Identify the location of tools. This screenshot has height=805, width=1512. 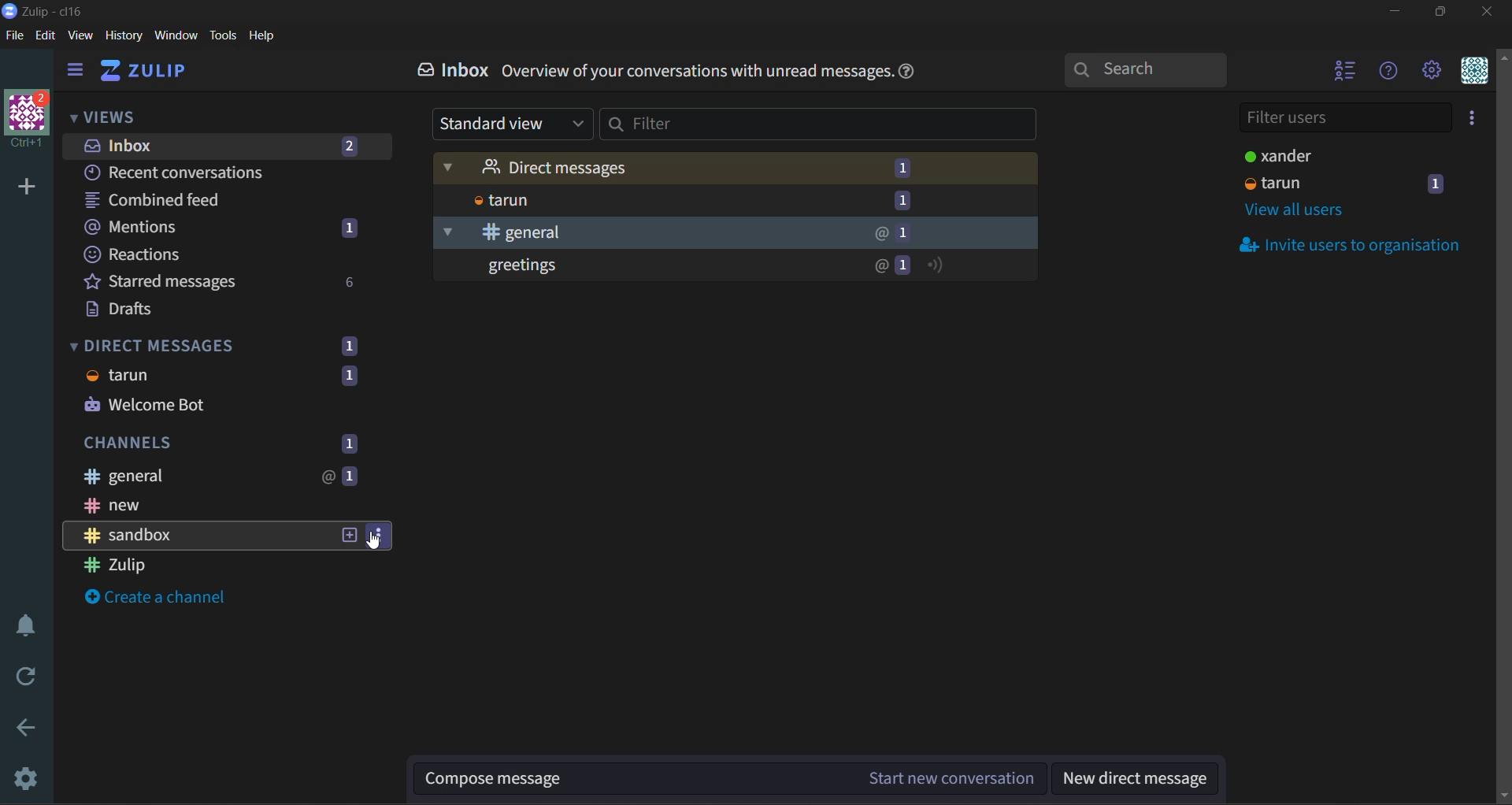
(223, 35).